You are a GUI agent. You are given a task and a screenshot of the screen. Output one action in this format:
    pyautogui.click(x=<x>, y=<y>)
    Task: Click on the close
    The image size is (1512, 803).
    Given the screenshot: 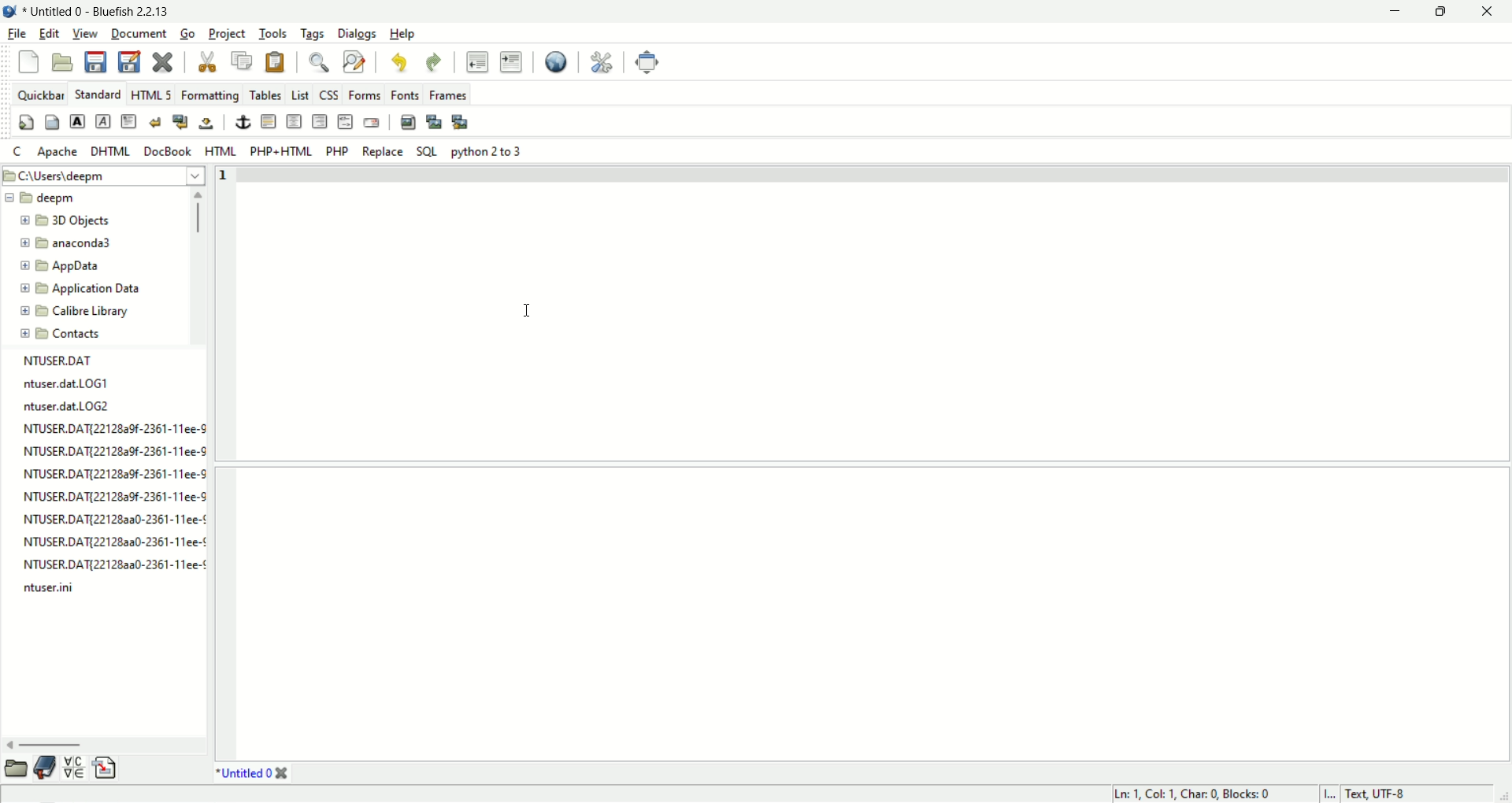 What is the action you would take?
    pyautogui.click(x=1492, y=11)
    